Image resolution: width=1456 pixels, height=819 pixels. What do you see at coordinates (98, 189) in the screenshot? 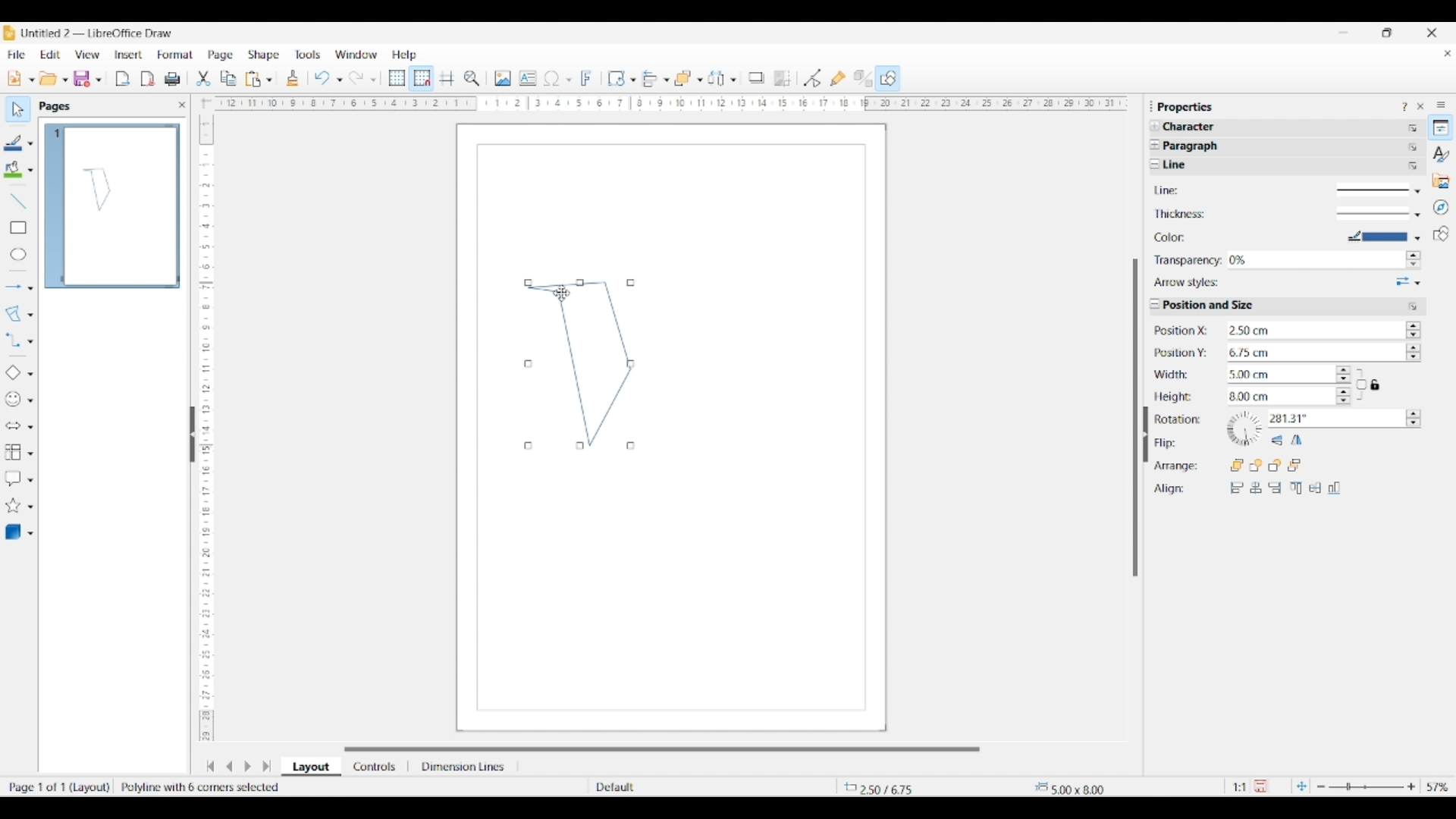
I see `Shape visible within the page` at bounding box center [98, 189].